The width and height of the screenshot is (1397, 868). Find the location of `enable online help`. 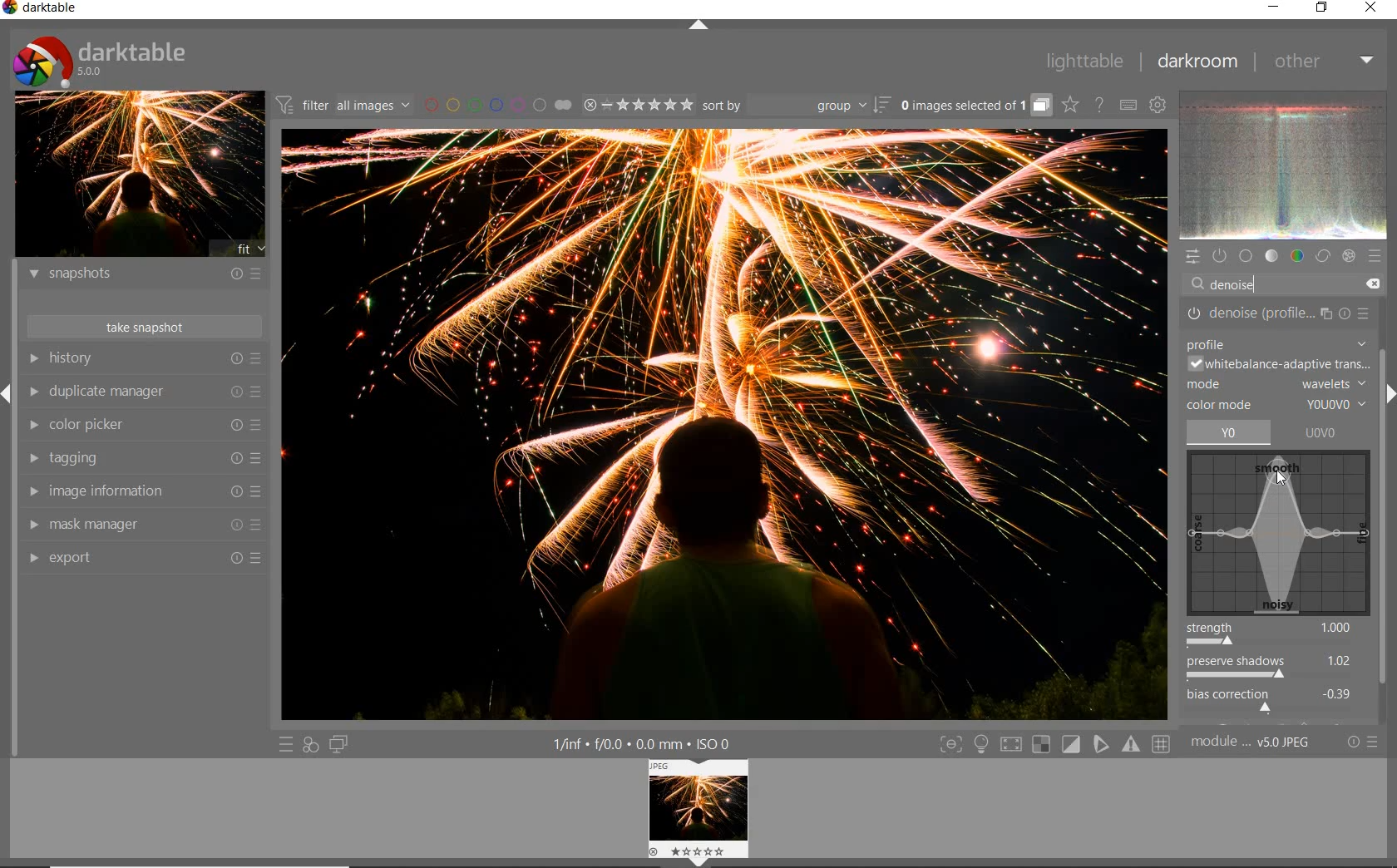

enable online help is located at coordinates (1102, 106).